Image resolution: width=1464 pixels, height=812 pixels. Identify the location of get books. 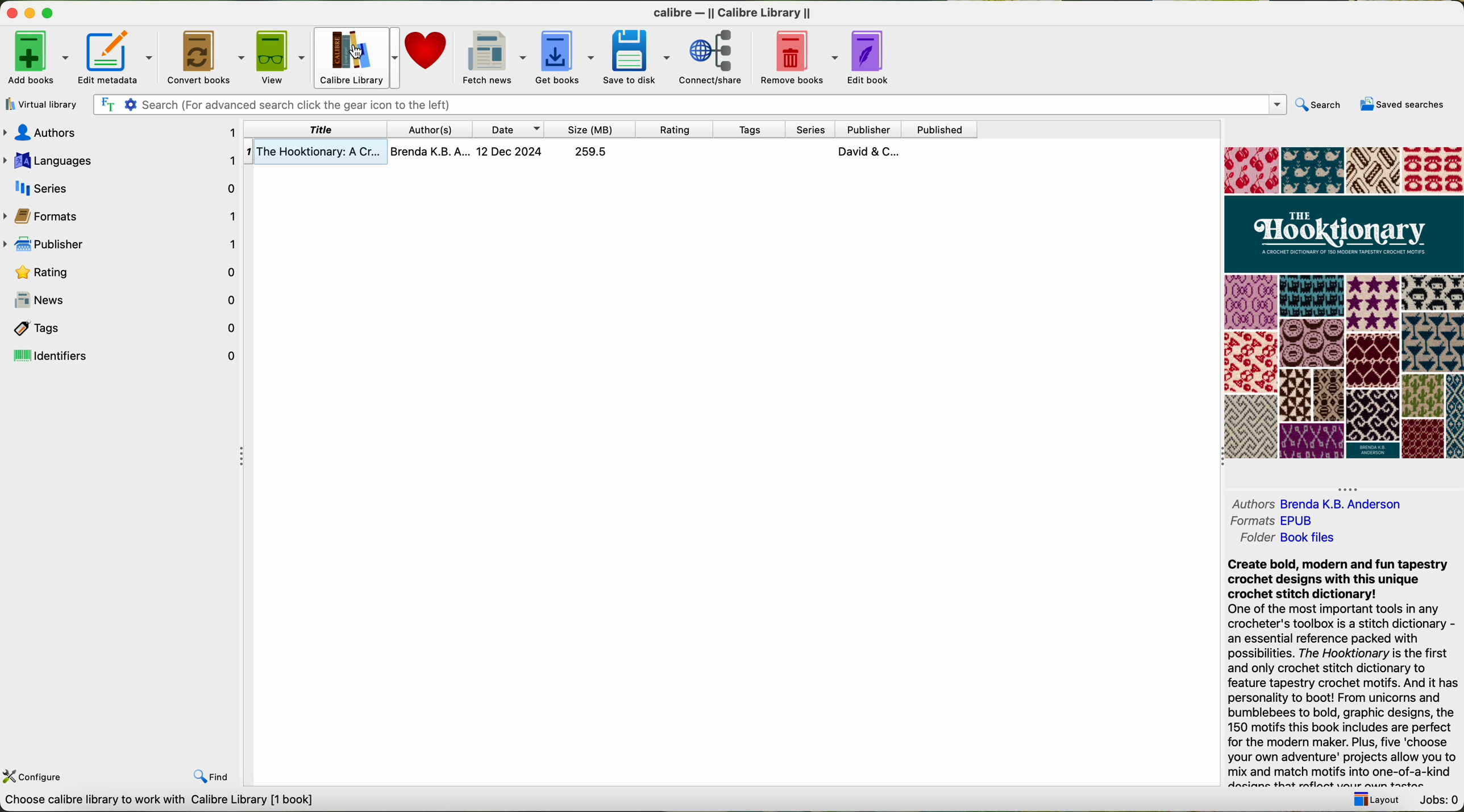
(565, 57).